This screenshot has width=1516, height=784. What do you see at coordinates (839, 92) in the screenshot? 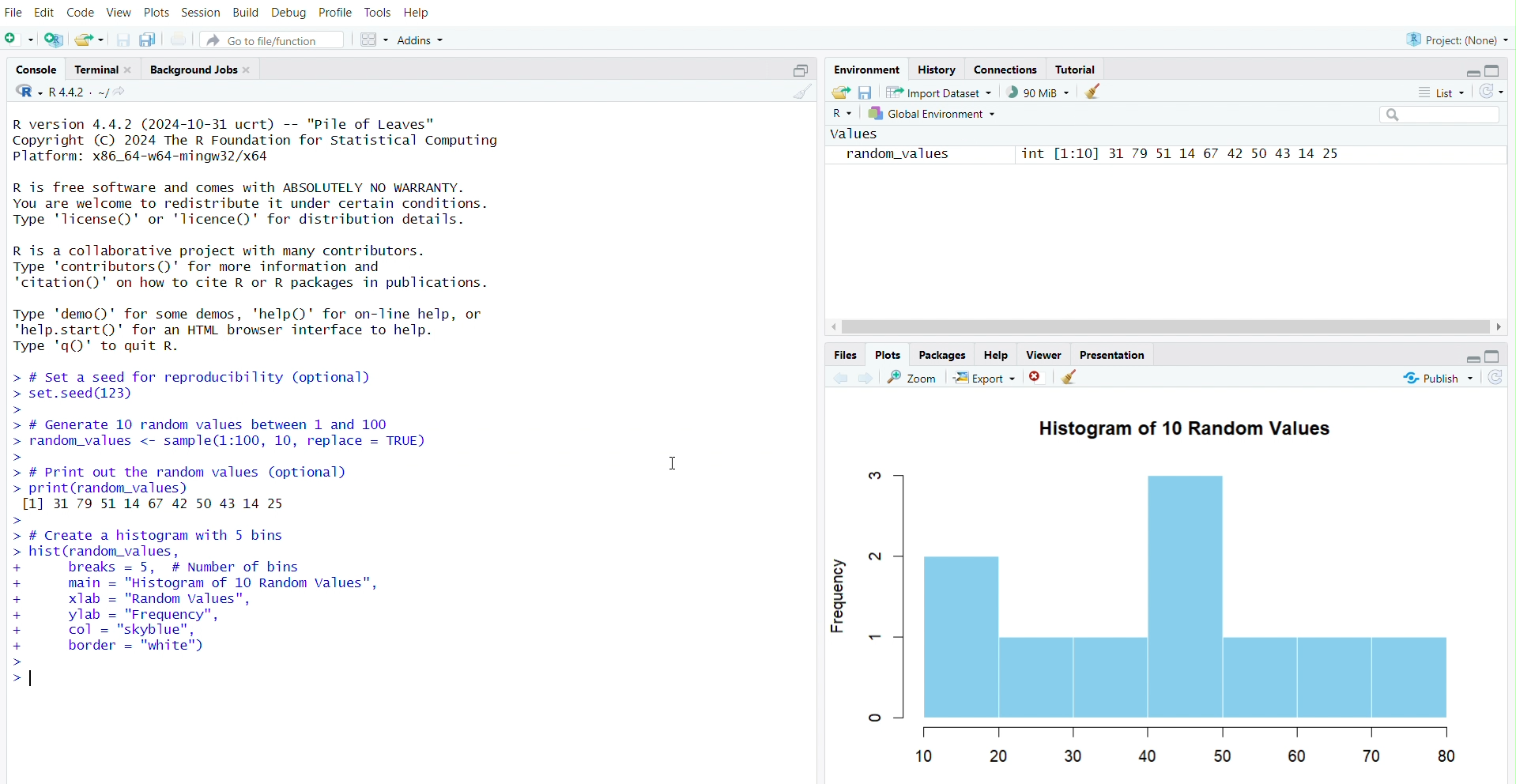
I see `load workspace` at bounding box center [839, 92].